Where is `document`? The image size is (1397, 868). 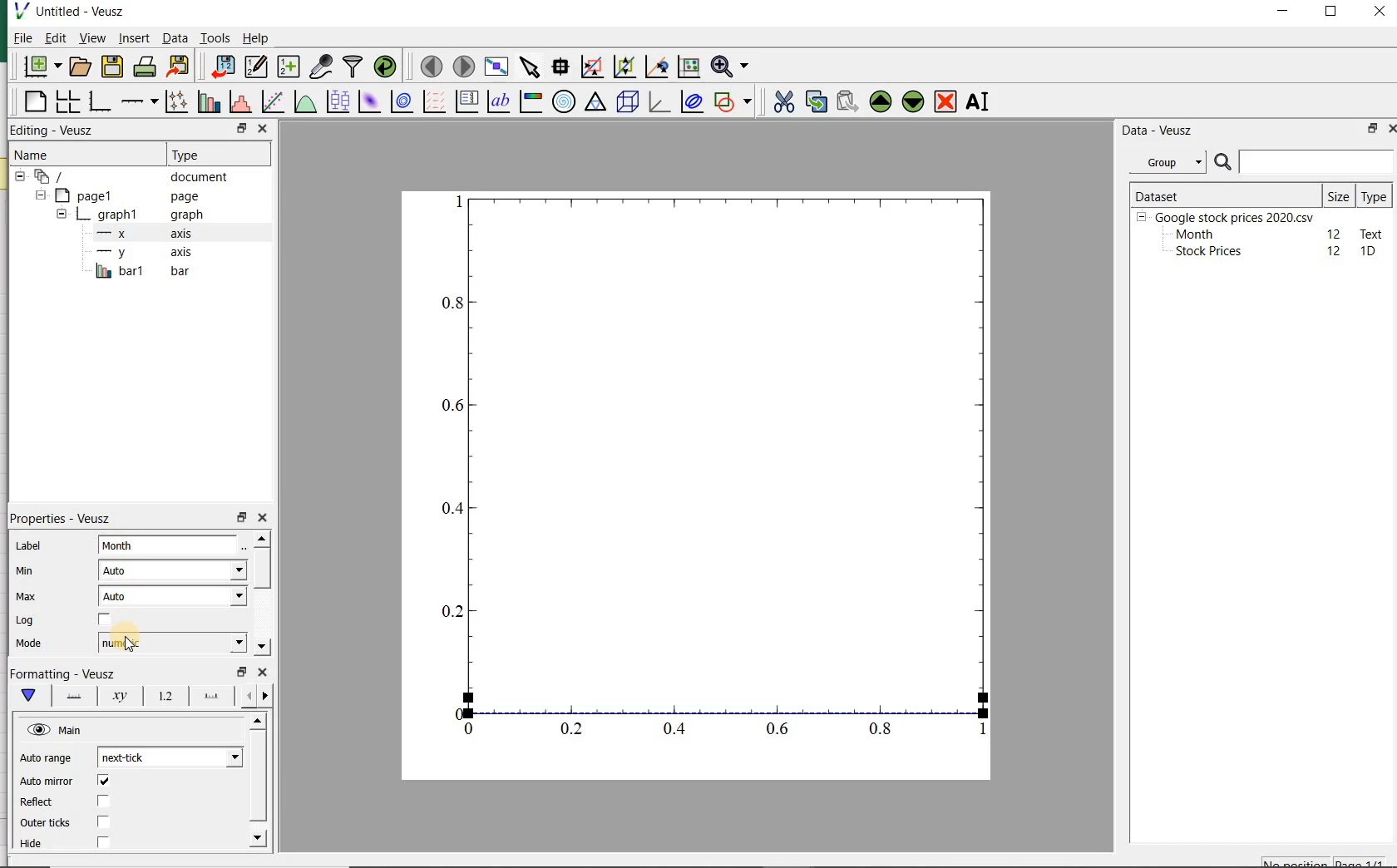 document is located at coordinates (129, 177).